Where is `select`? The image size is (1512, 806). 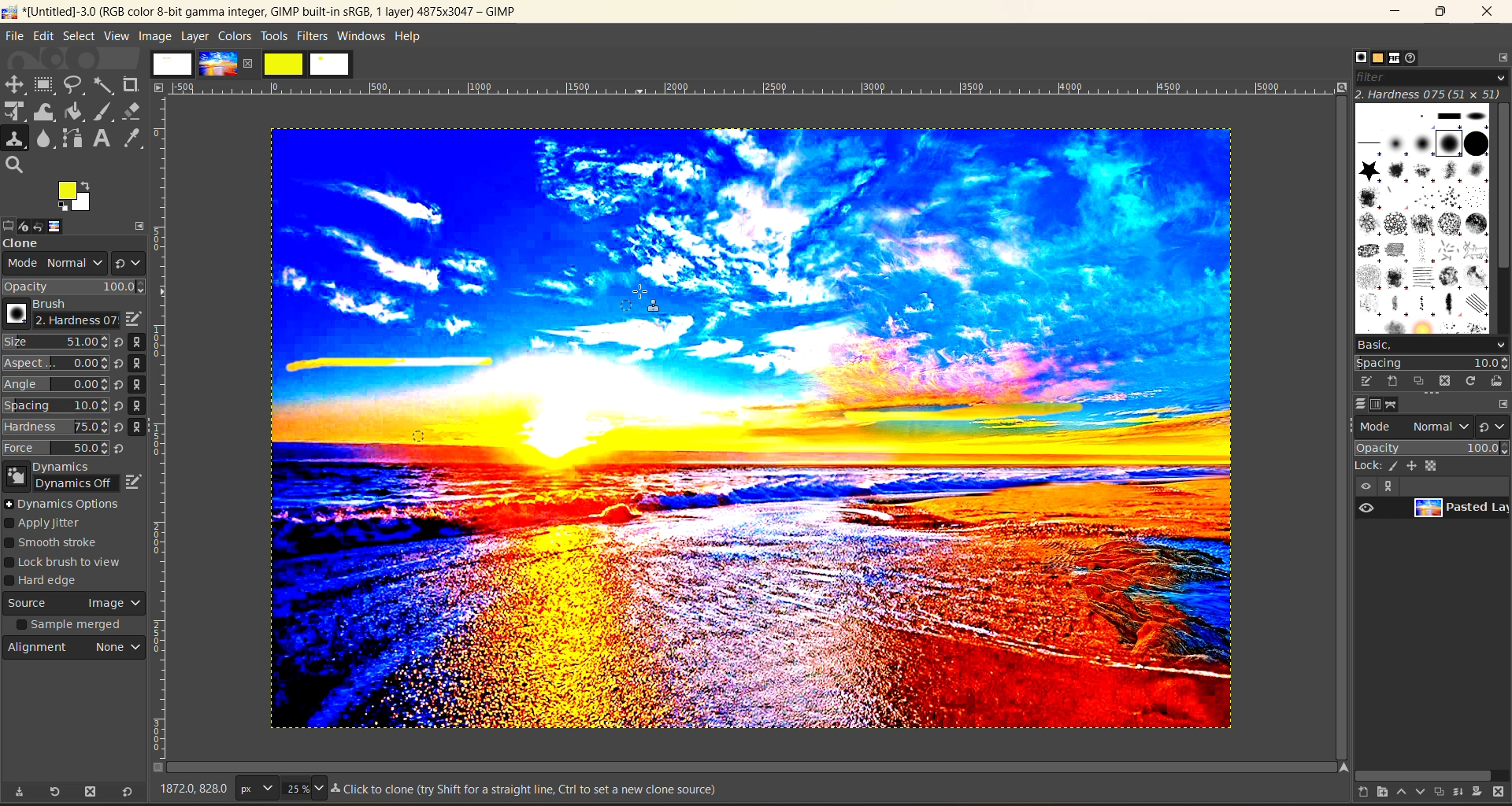 select is located at coordinates (79, 35).